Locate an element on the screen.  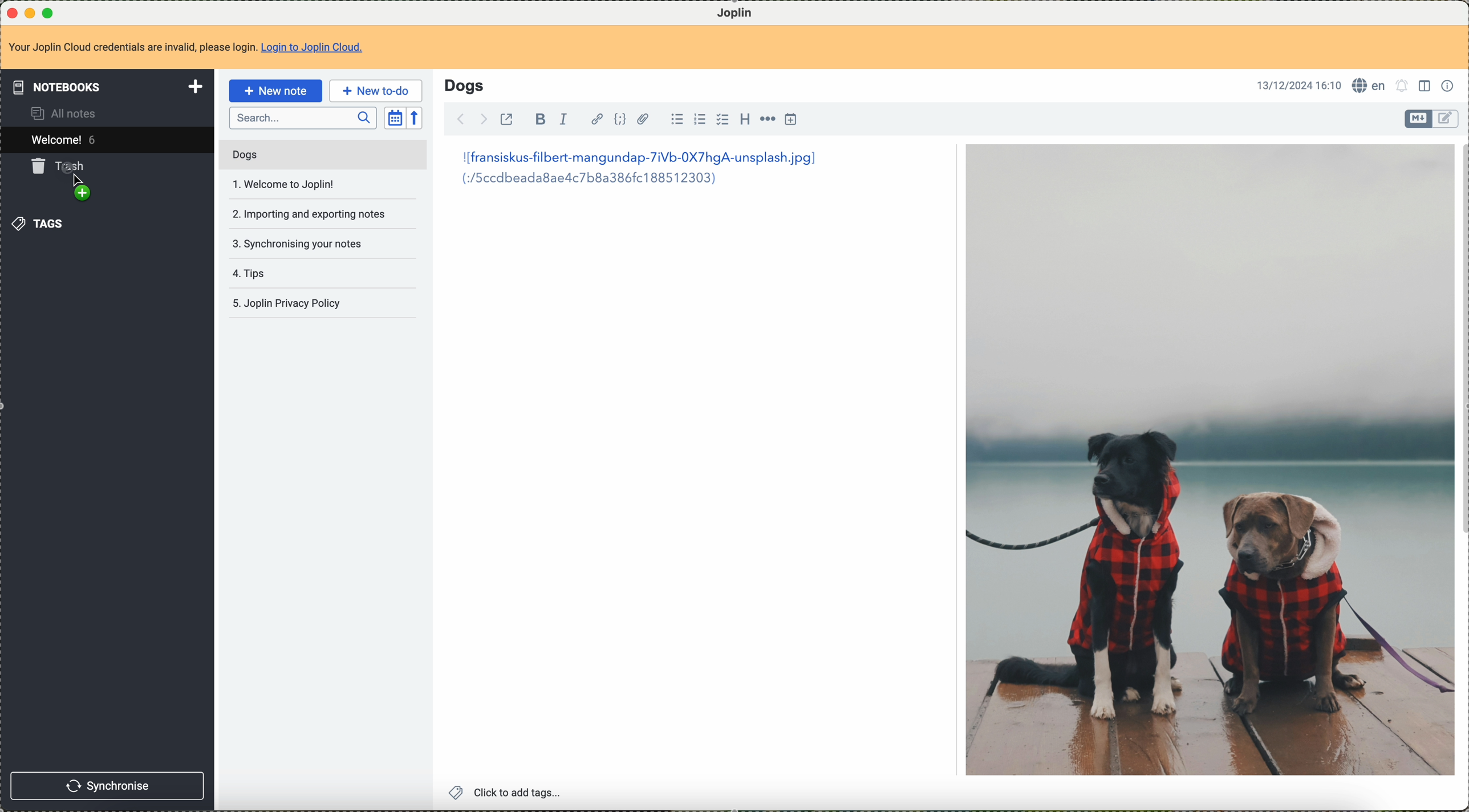
mouse down on dogs note is located at coordinates (334, 152).